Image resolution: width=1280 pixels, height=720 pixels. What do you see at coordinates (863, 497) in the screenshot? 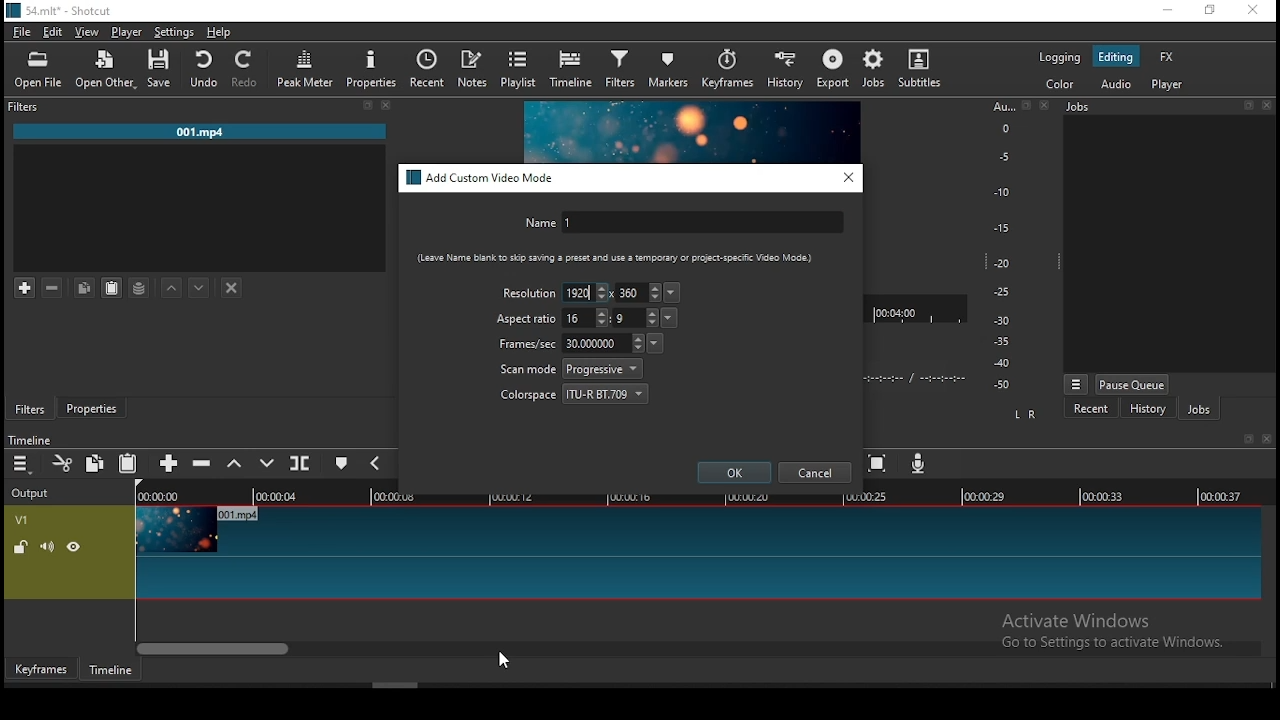
I see `00:00:25` at bounding box center [863, 497].